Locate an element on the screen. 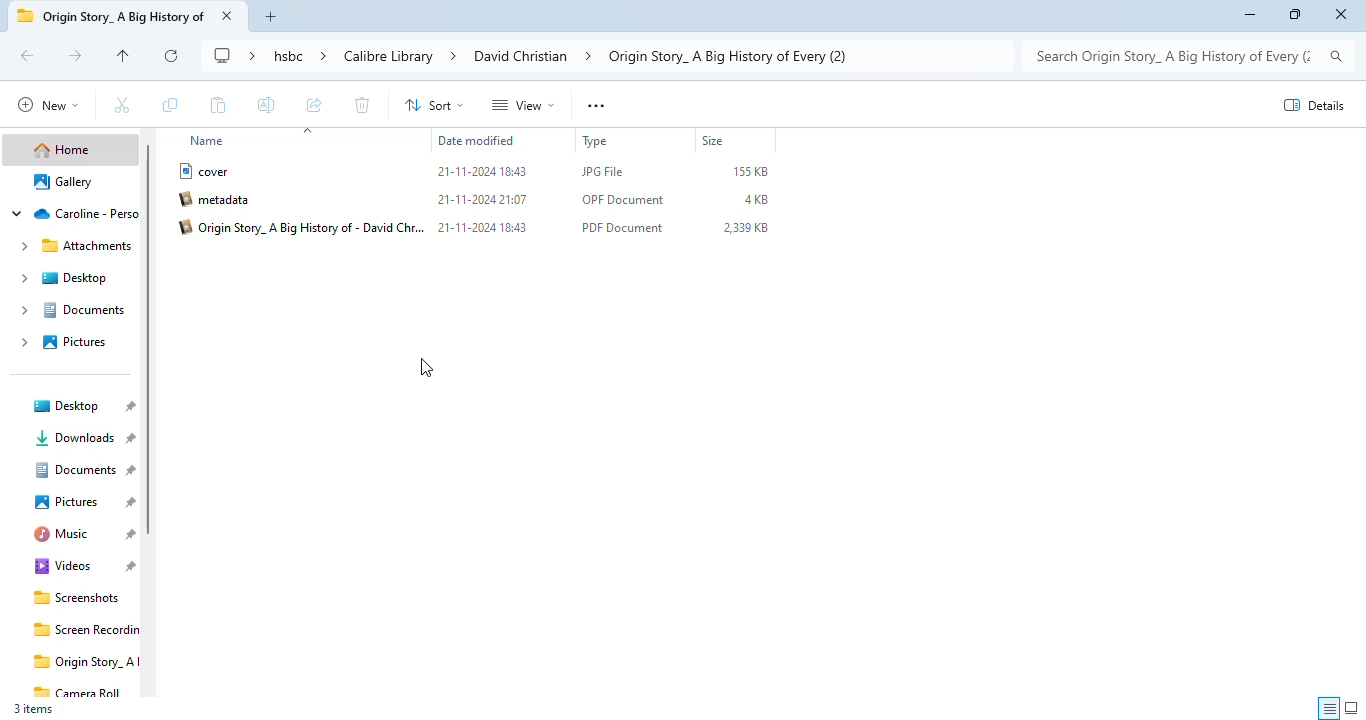  date modified is located at coordinates (478, 140).